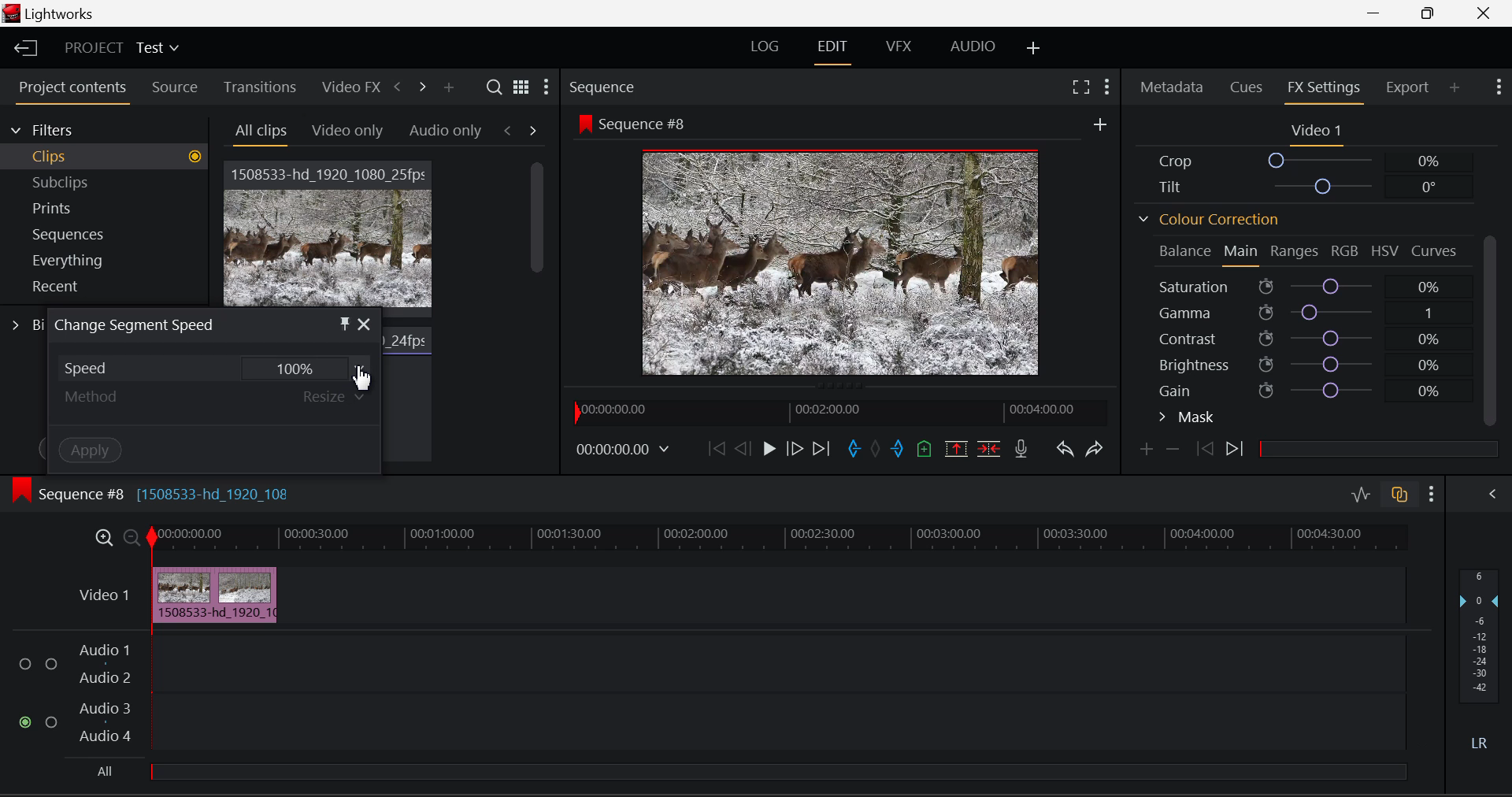 This screenshot has height=797, width=1512. I want to click on Metadata, so click(1170, 87).